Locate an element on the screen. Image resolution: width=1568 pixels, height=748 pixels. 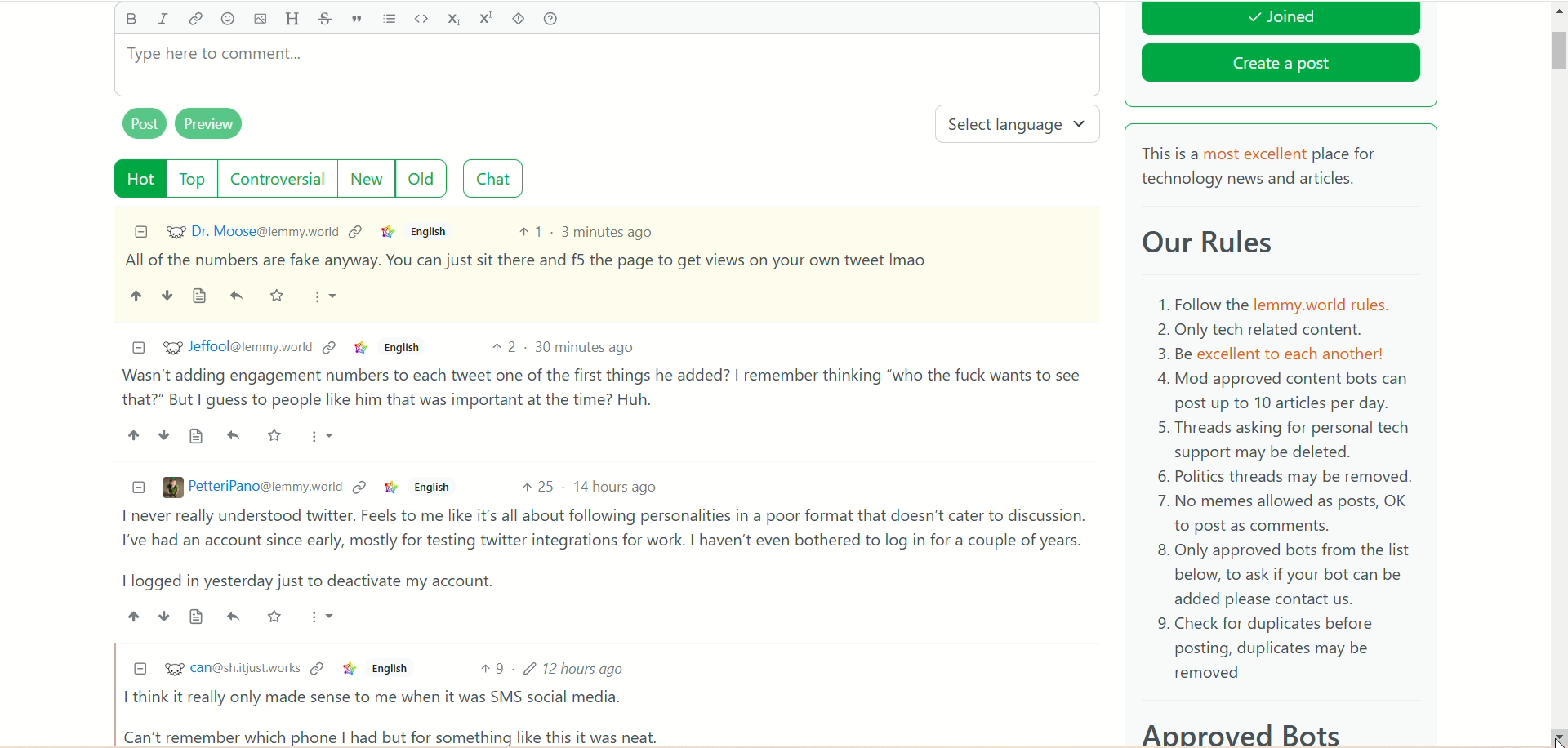
Upvote  is located at coordinates (136, 295).